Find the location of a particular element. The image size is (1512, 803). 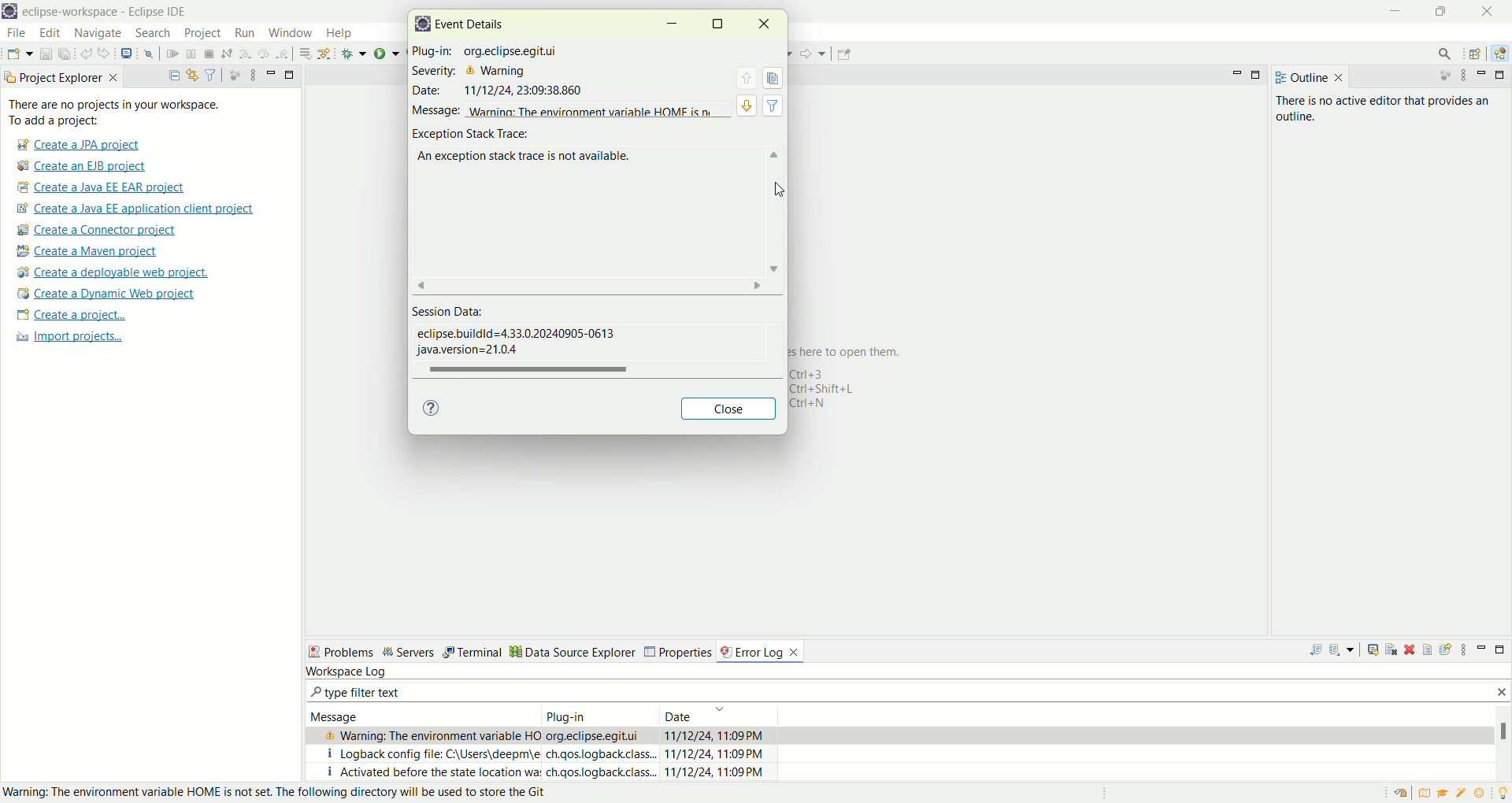

import projects is located at coordinates (79, 342).